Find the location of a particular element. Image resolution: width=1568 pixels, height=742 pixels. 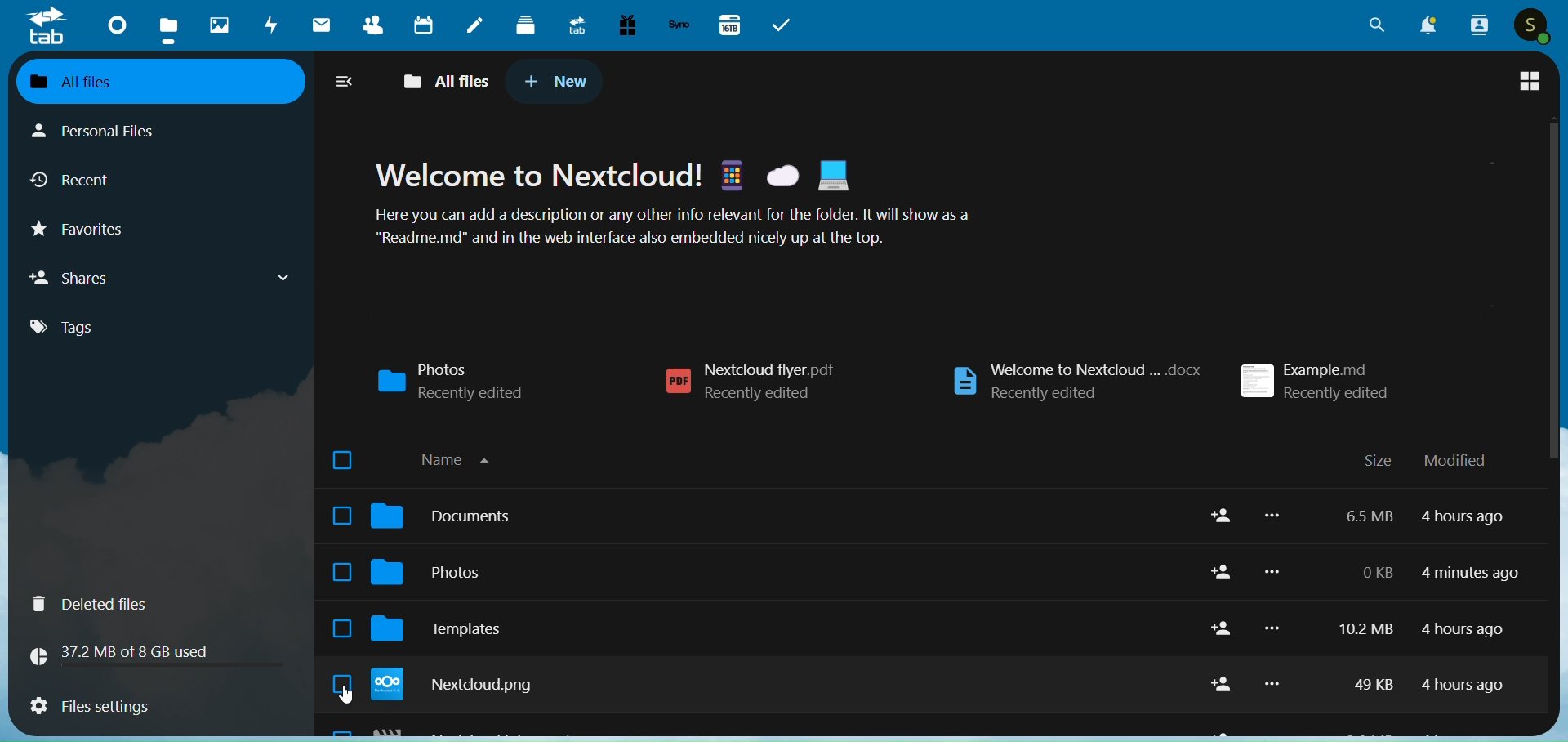

picture is located at coordinates (215, 26).